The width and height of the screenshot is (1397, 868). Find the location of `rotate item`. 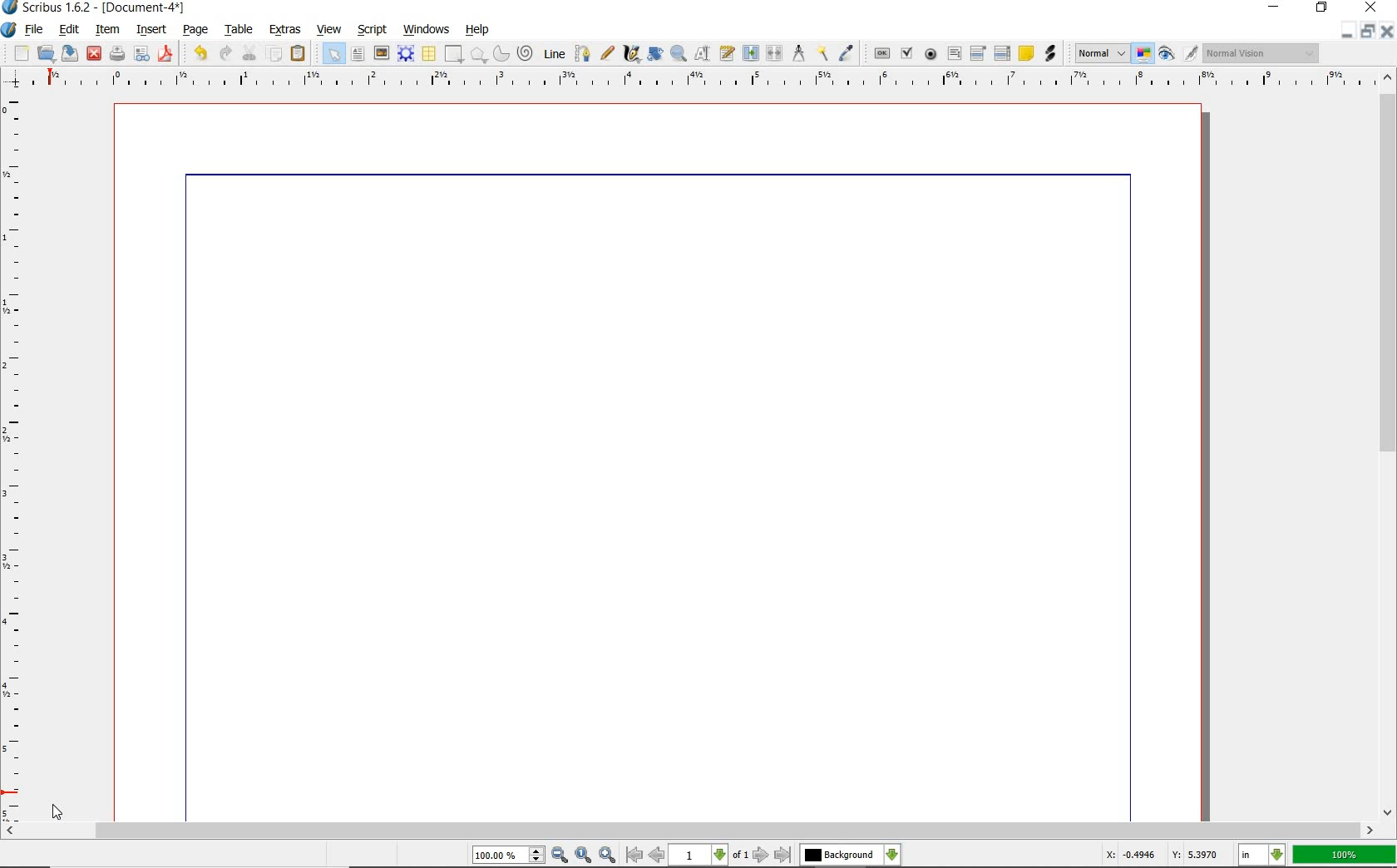

rotate item is located at coordinates (654, 55).